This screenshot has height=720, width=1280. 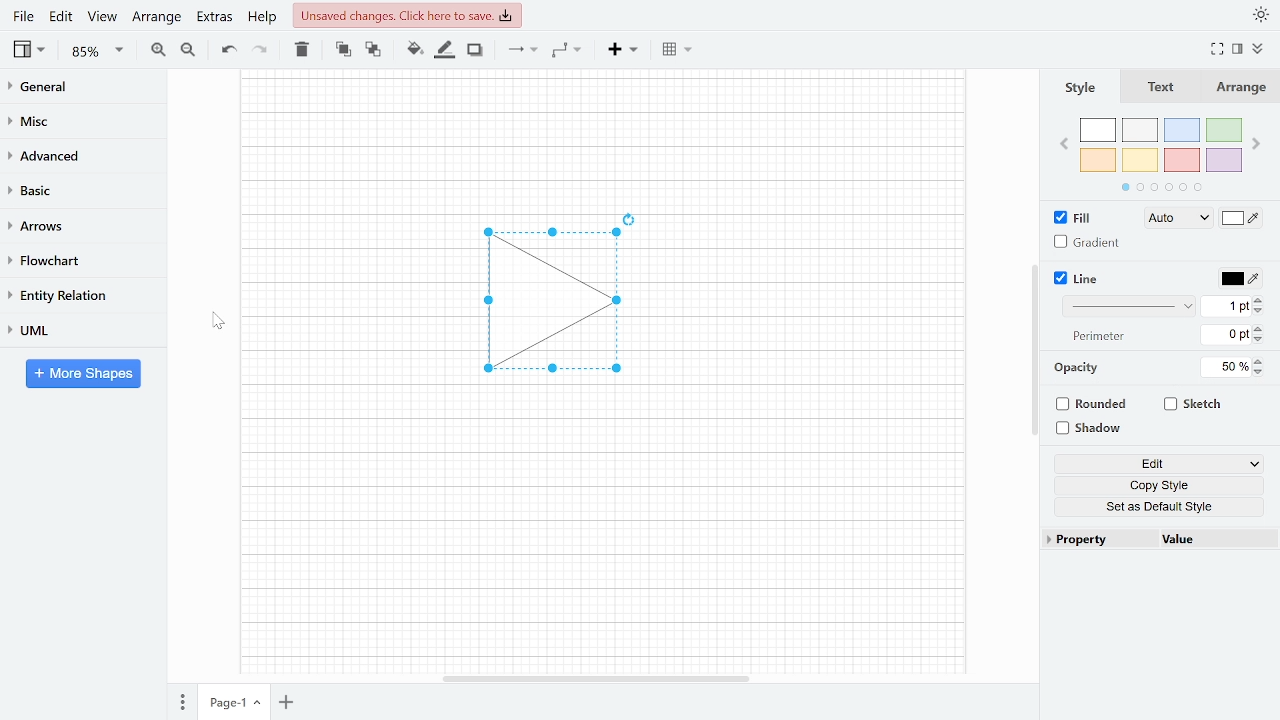 I want to click on Unsaved changes. Click here to save, so click(x=410, y=15).